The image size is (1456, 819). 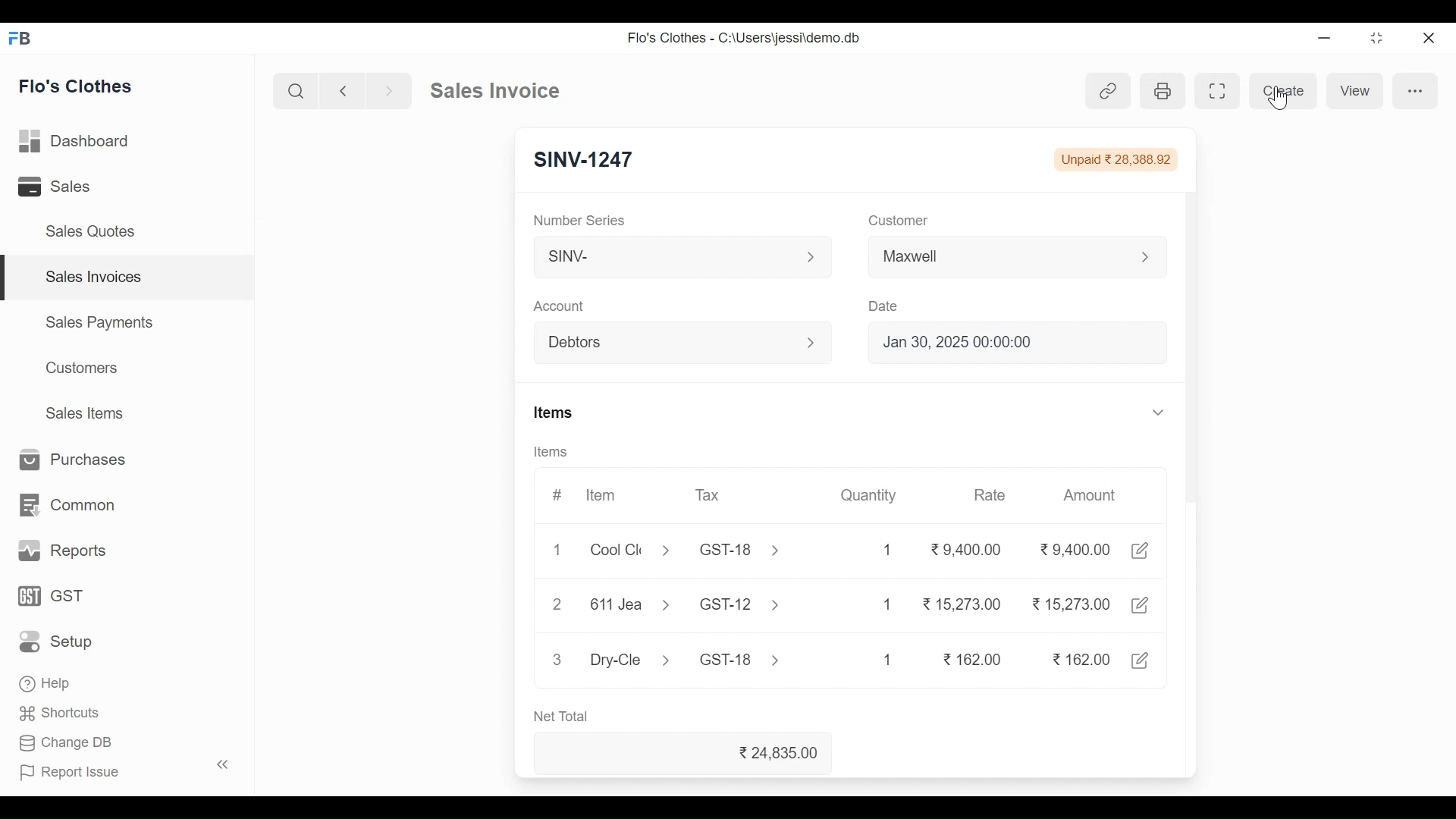 What do you see at coordinates (1020, 341) in the screenshot?
I see `Jan 30, 2025 00:00:00` at bounding box center [1020, 341].